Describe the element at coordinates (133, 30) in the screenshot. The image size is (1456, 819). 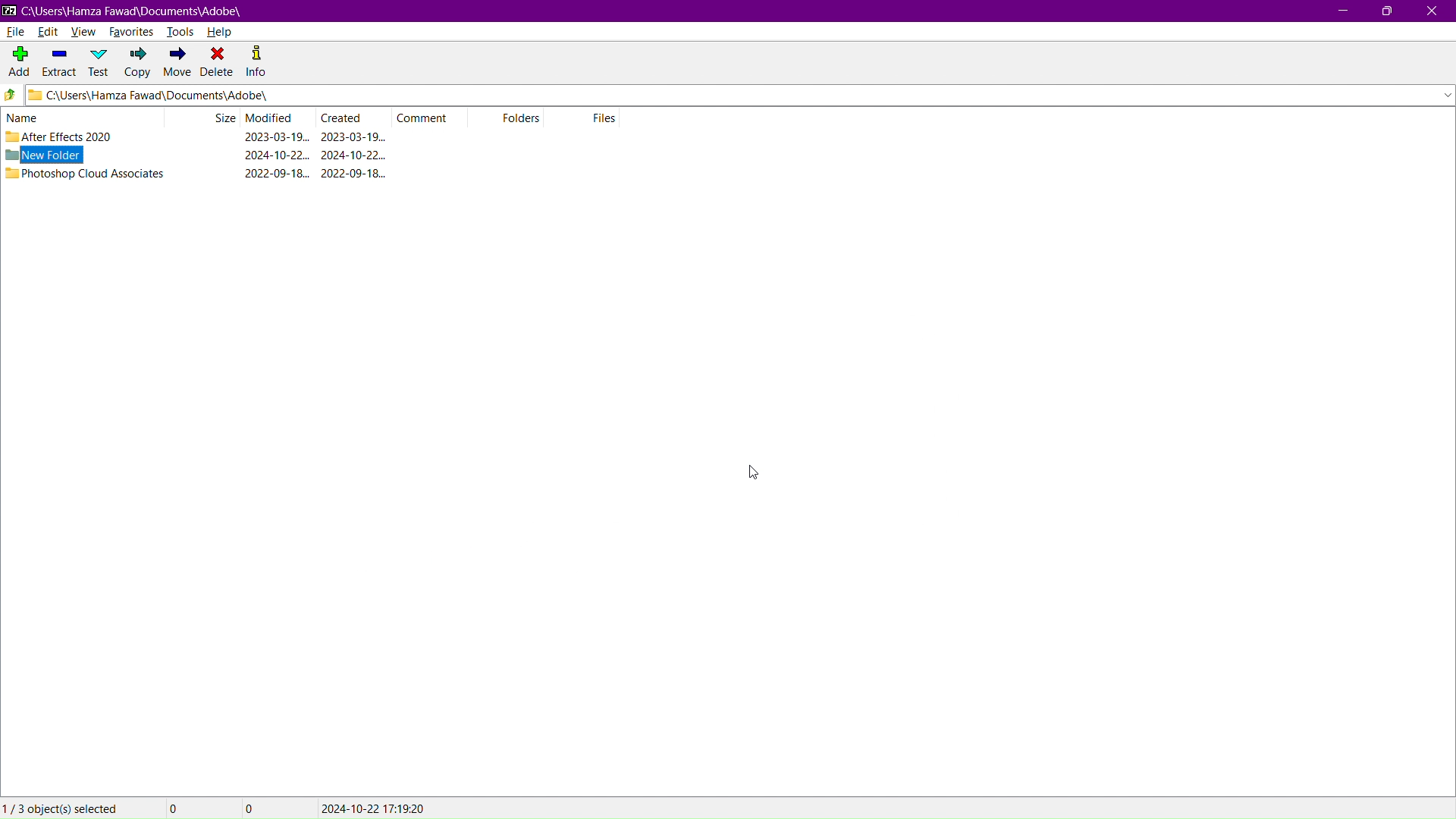
I see `Favorites` at that location.